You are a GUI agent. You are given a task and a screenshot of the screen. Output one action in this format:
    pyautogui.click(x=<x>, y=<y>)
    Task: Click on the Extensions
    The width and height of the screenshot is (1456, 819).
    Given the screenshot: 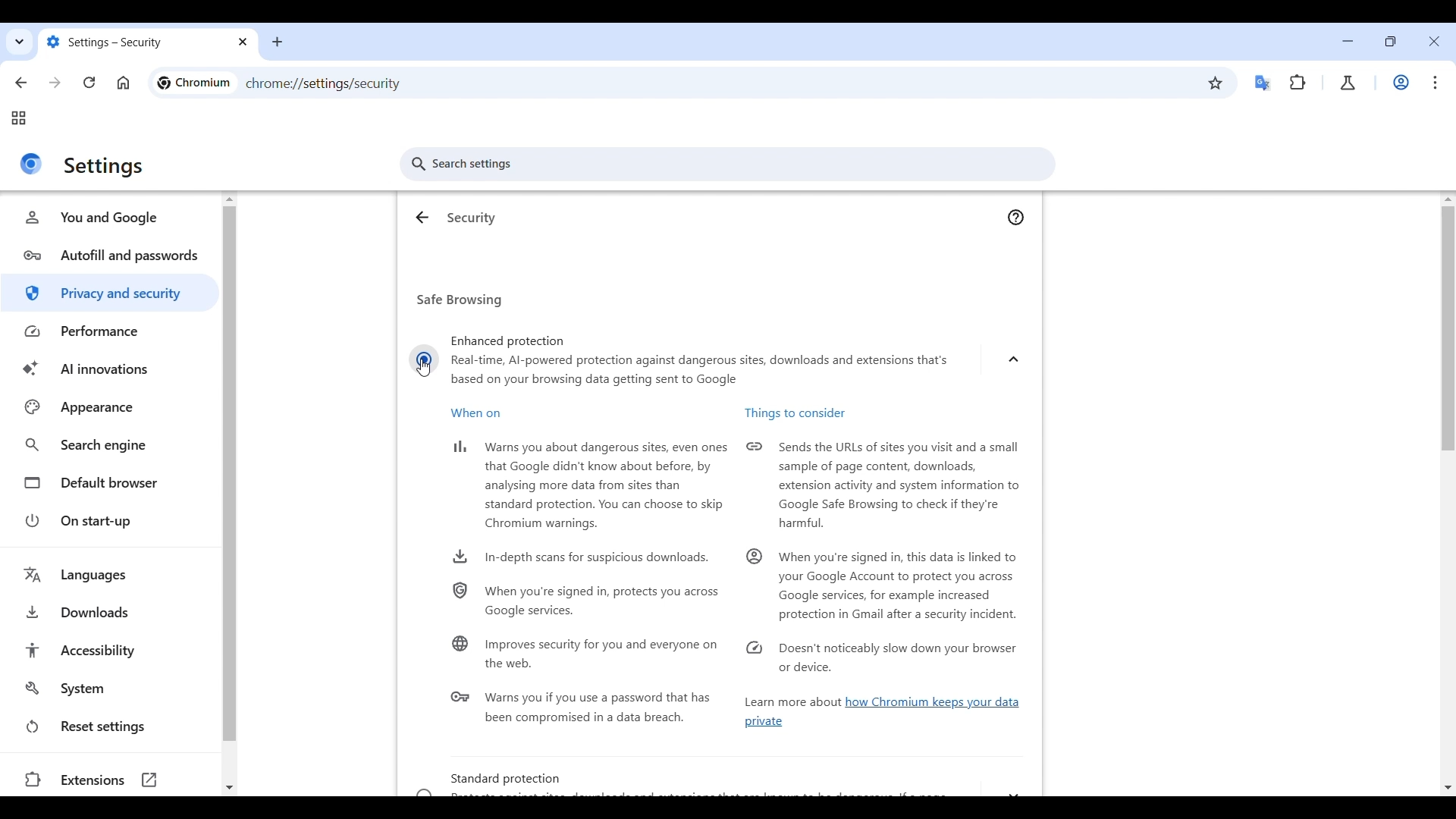 What is the action you would take?
    pyautogui.click(x=111, y=780)
    